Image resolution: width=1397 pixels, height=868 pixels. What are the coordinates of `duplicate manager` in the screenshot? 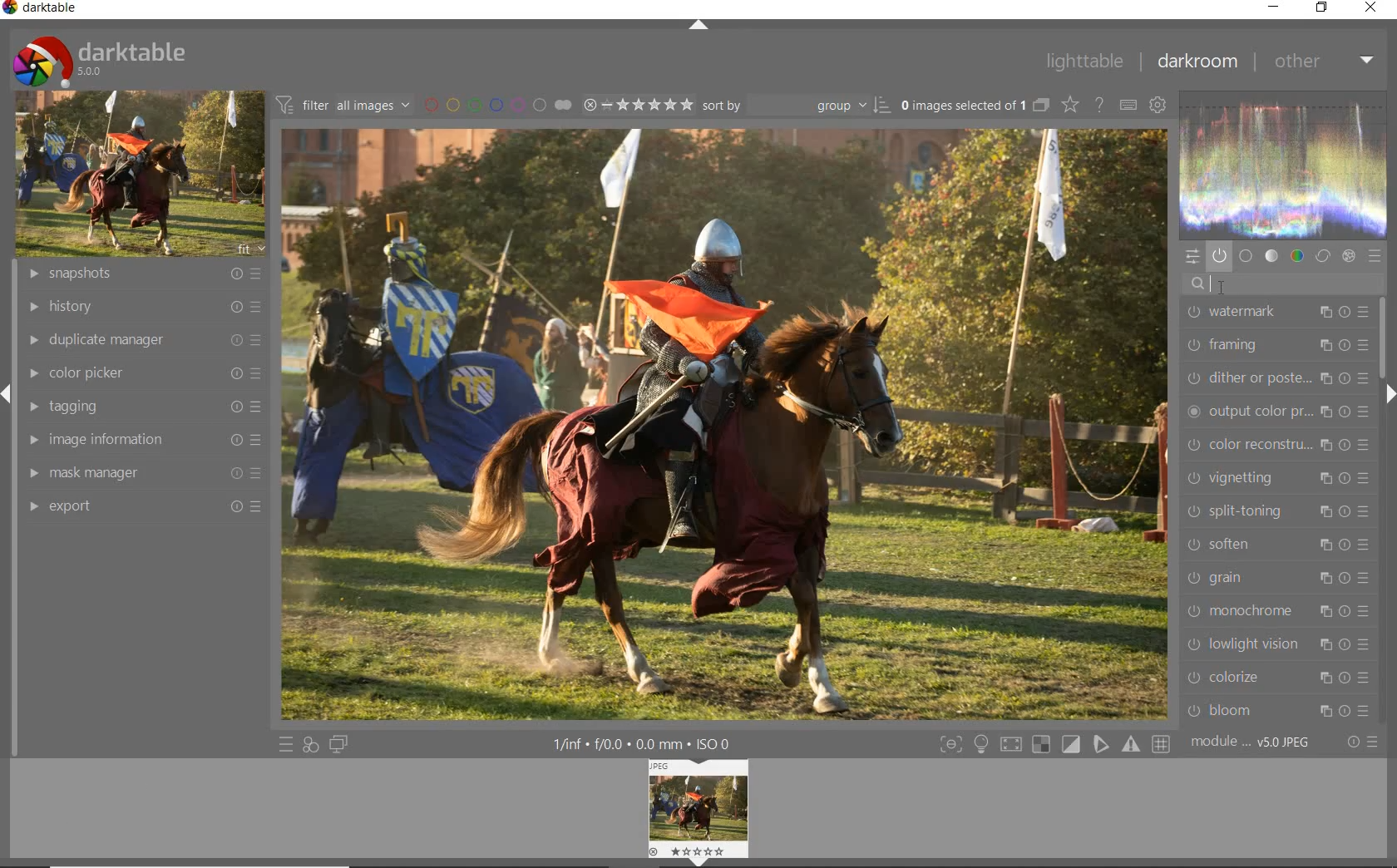 It's located at (144, 339).